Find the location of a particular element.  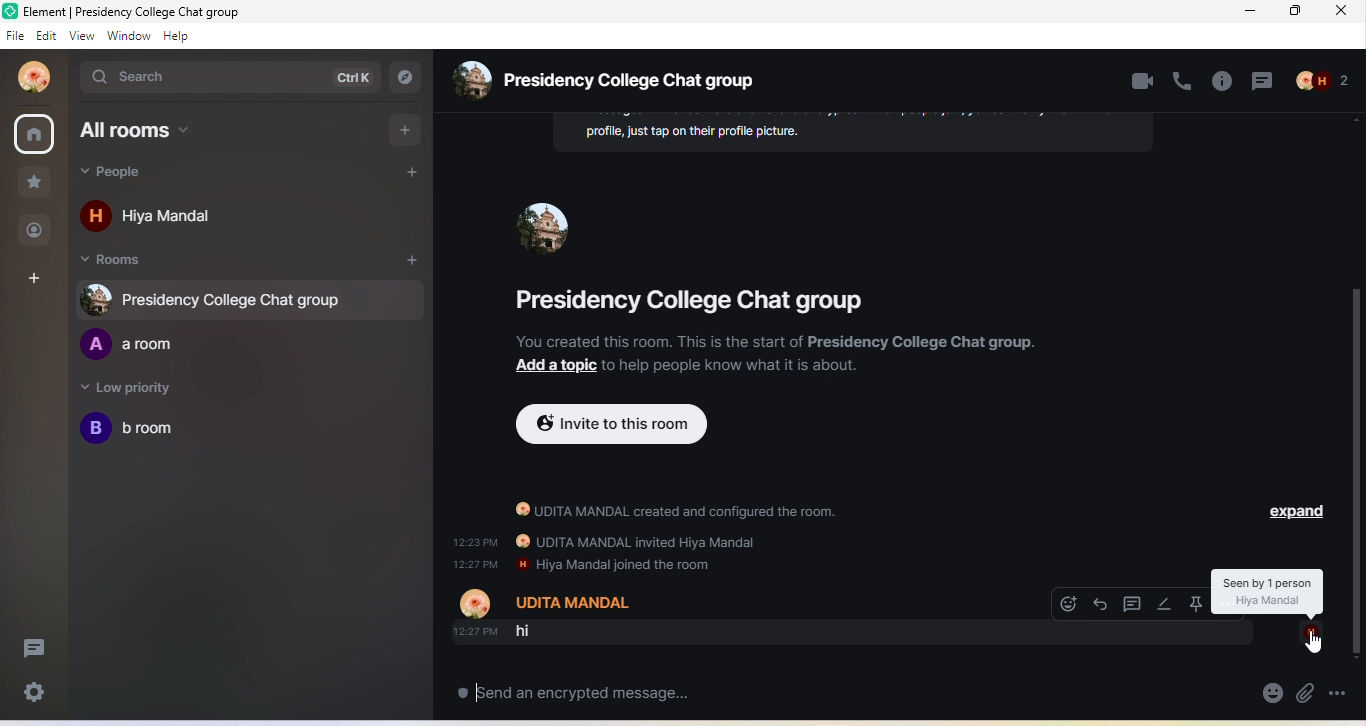

maximize is located at coordinates (1295, 13).